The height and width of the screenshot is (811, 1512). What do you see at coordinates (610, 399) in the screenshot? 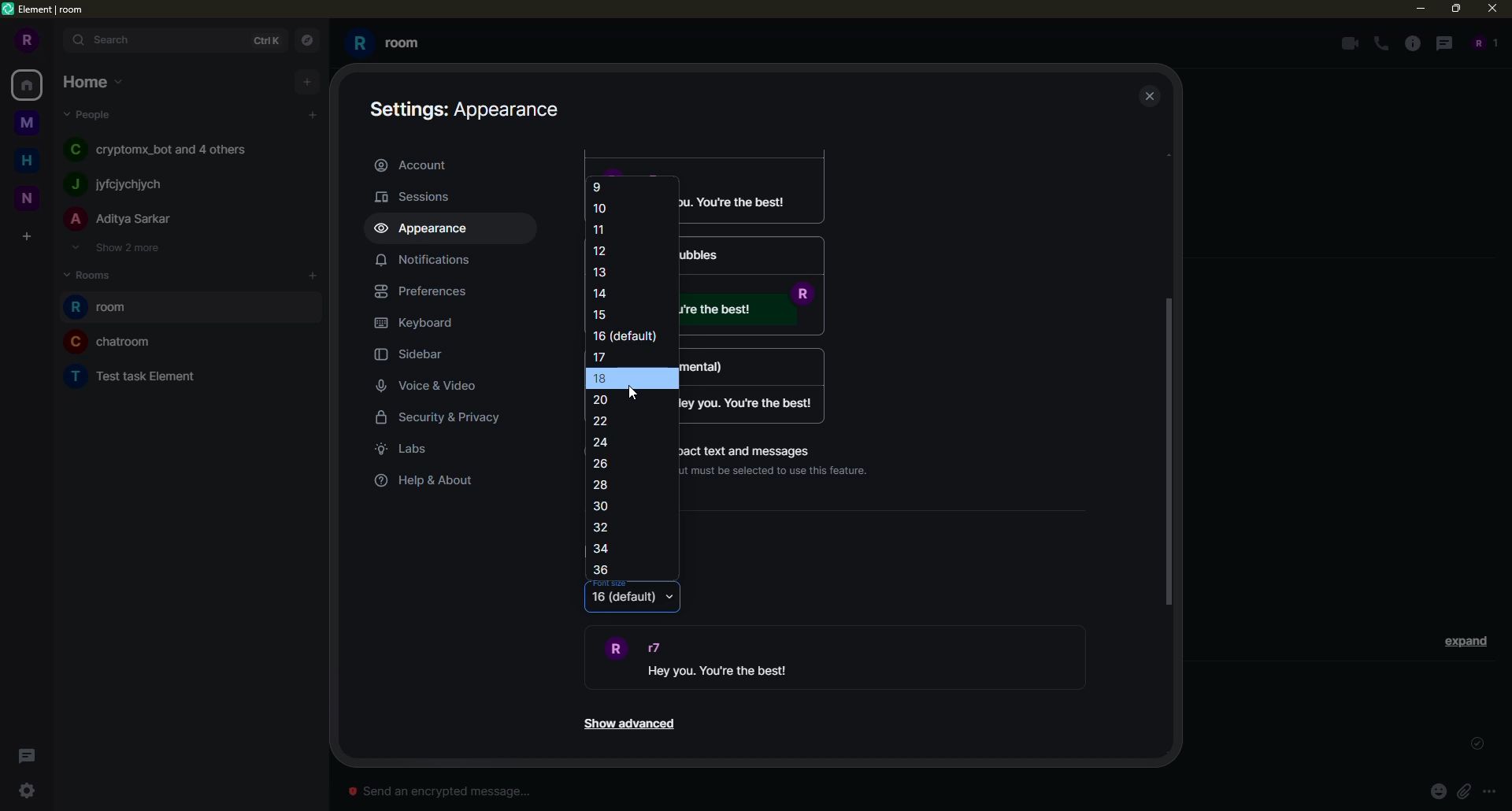
I see `20` at bounding box center [610, 399].